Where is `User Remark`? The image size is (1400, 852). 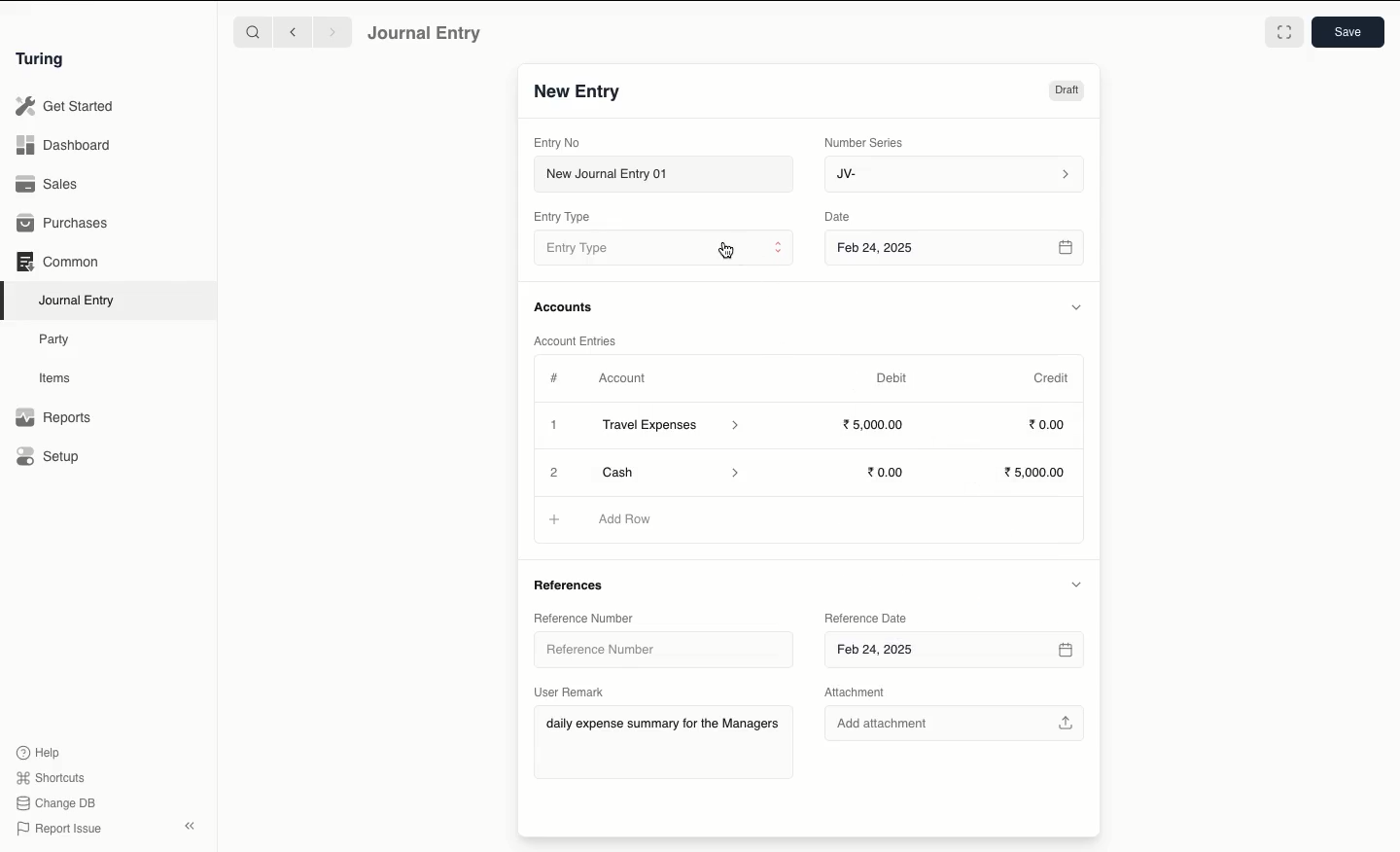
User Remark is located at coordinates (570, 692).